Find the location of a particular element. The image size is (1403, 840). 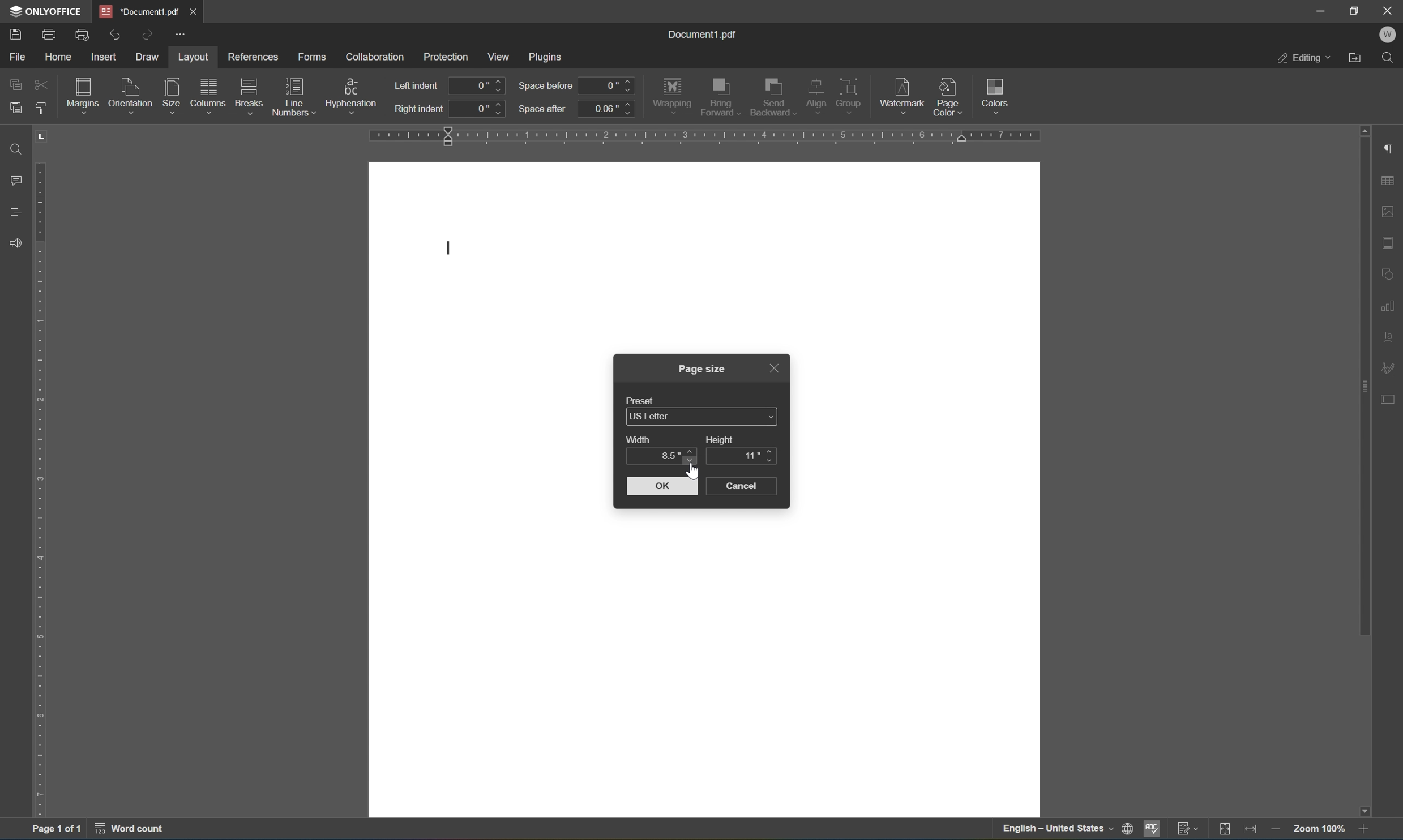

draw is located at coordinates (150, 57).